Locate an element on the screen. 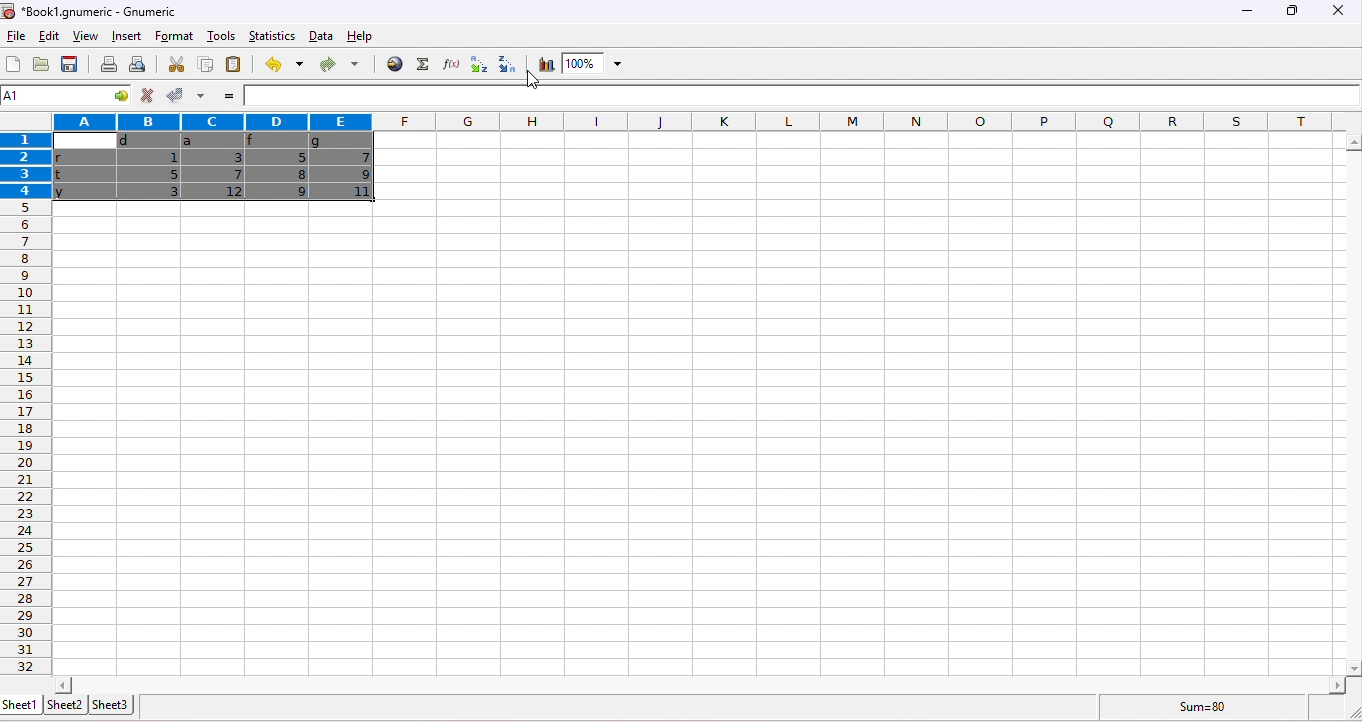 The height and width of the screenshot is (722, 1362). save is located at coordinates (70, 63).